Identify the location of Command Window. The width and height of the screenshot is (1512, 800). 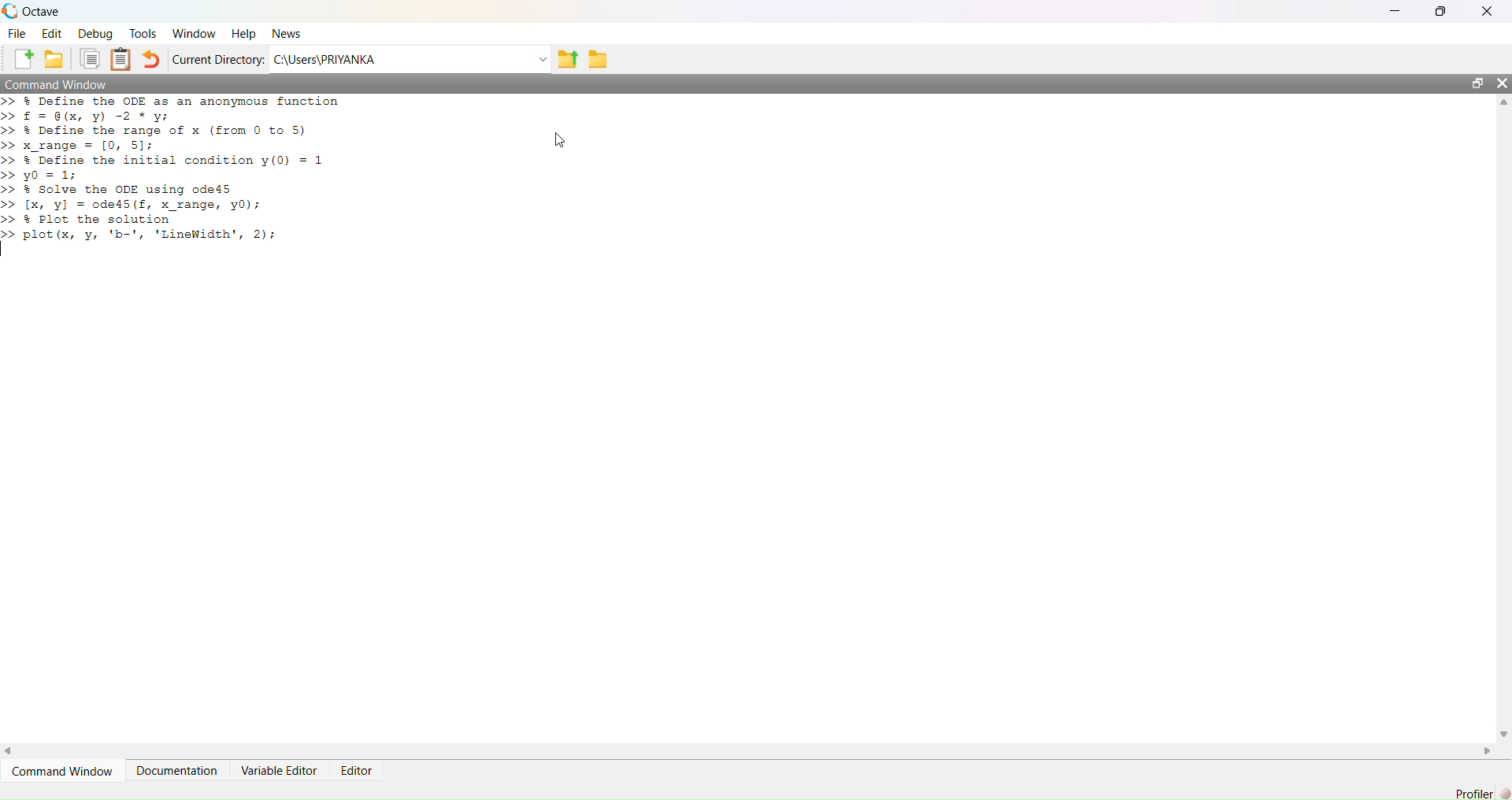
(62, 771).